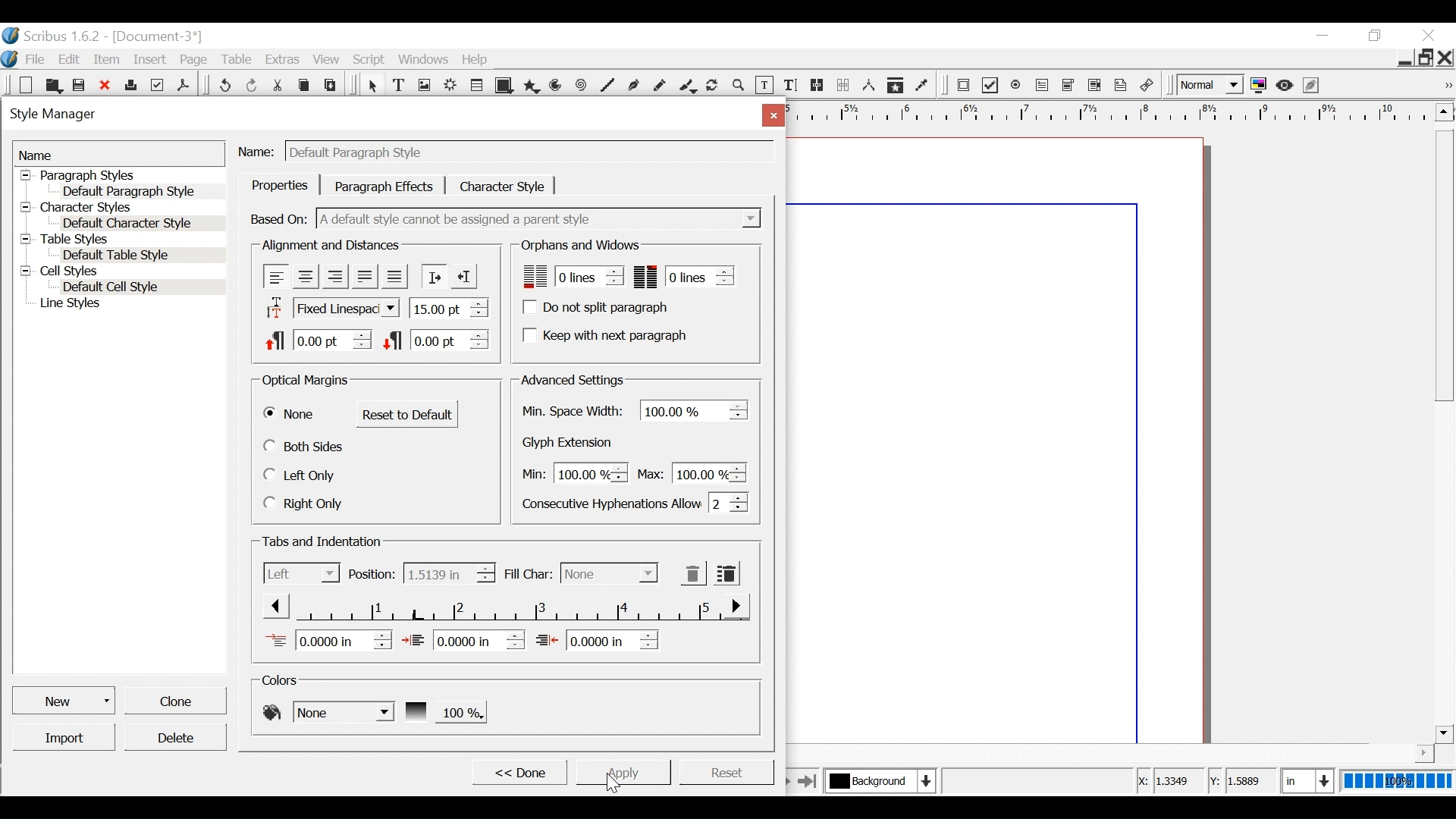 This screenshot has height=819, width=1456. What do you see at coordinates (237, 60) in the screenshot?
I see `Table` at bounding box center [237, 60].